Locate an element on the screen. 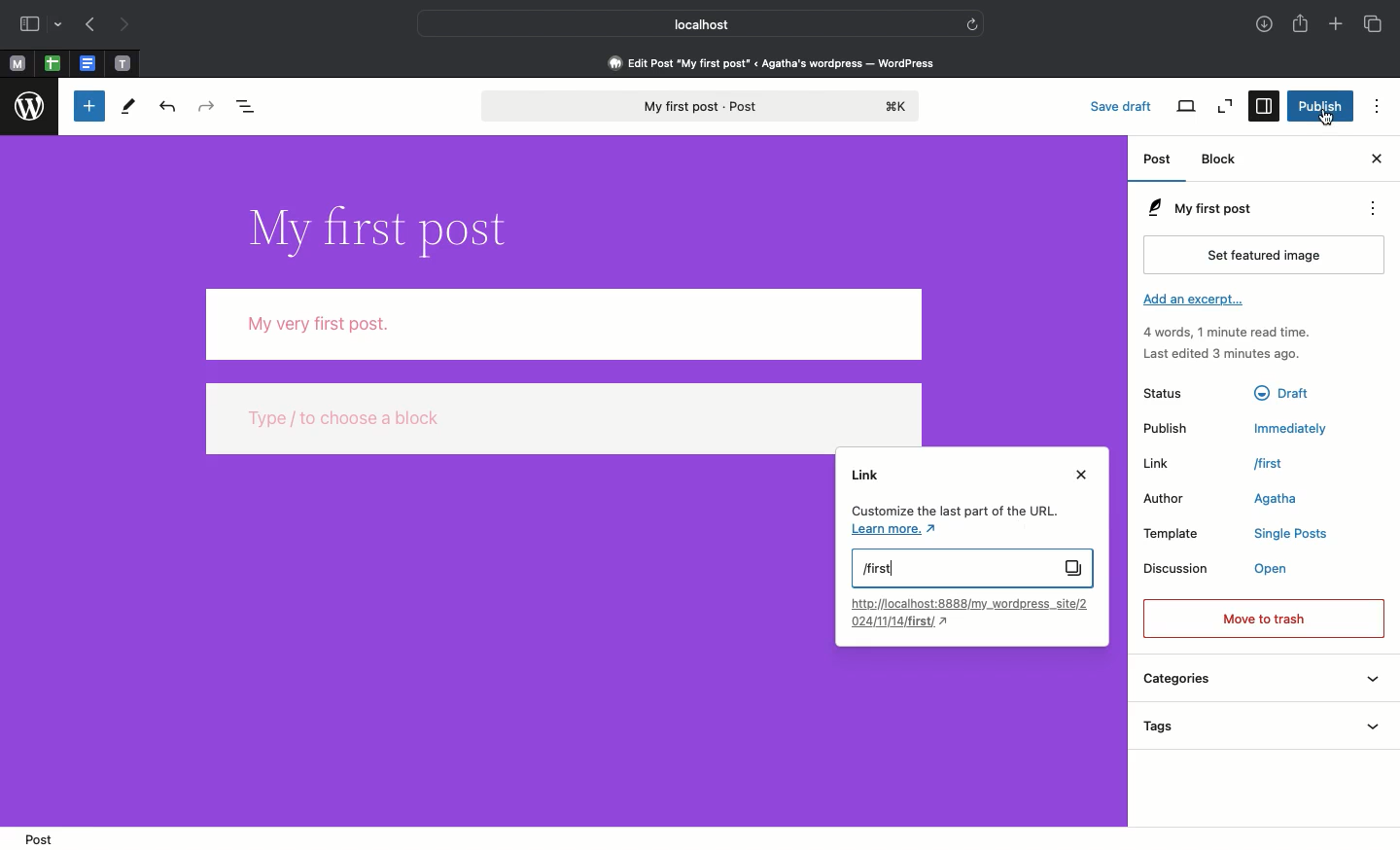 This screenshot has height=850, width=1400. My first post is located at coordinates (1227, 206).